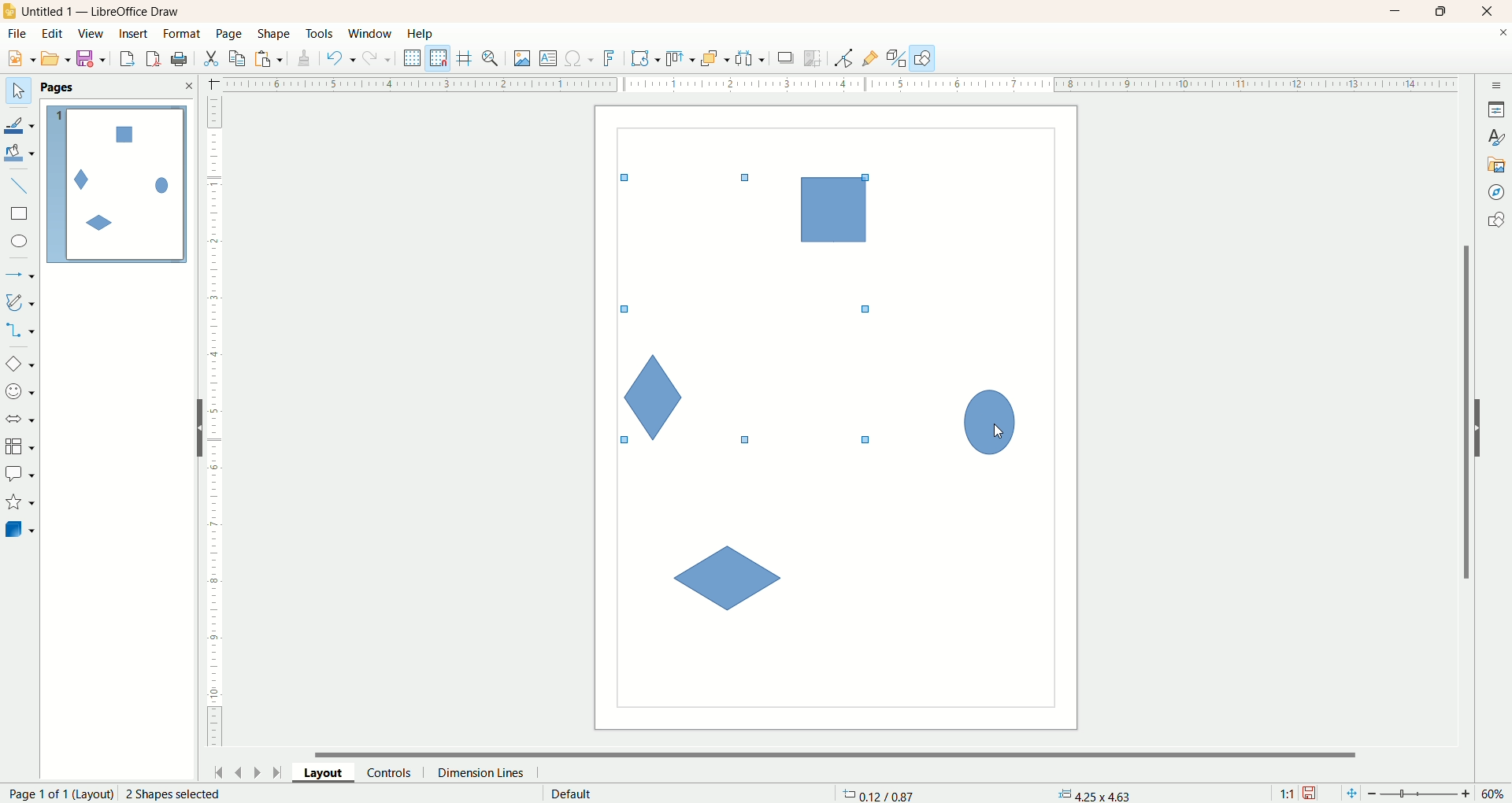  What do you see at coordinates (1442, 11) in the screenshot?
I see `maximize` at bounding box center [1442, 11].